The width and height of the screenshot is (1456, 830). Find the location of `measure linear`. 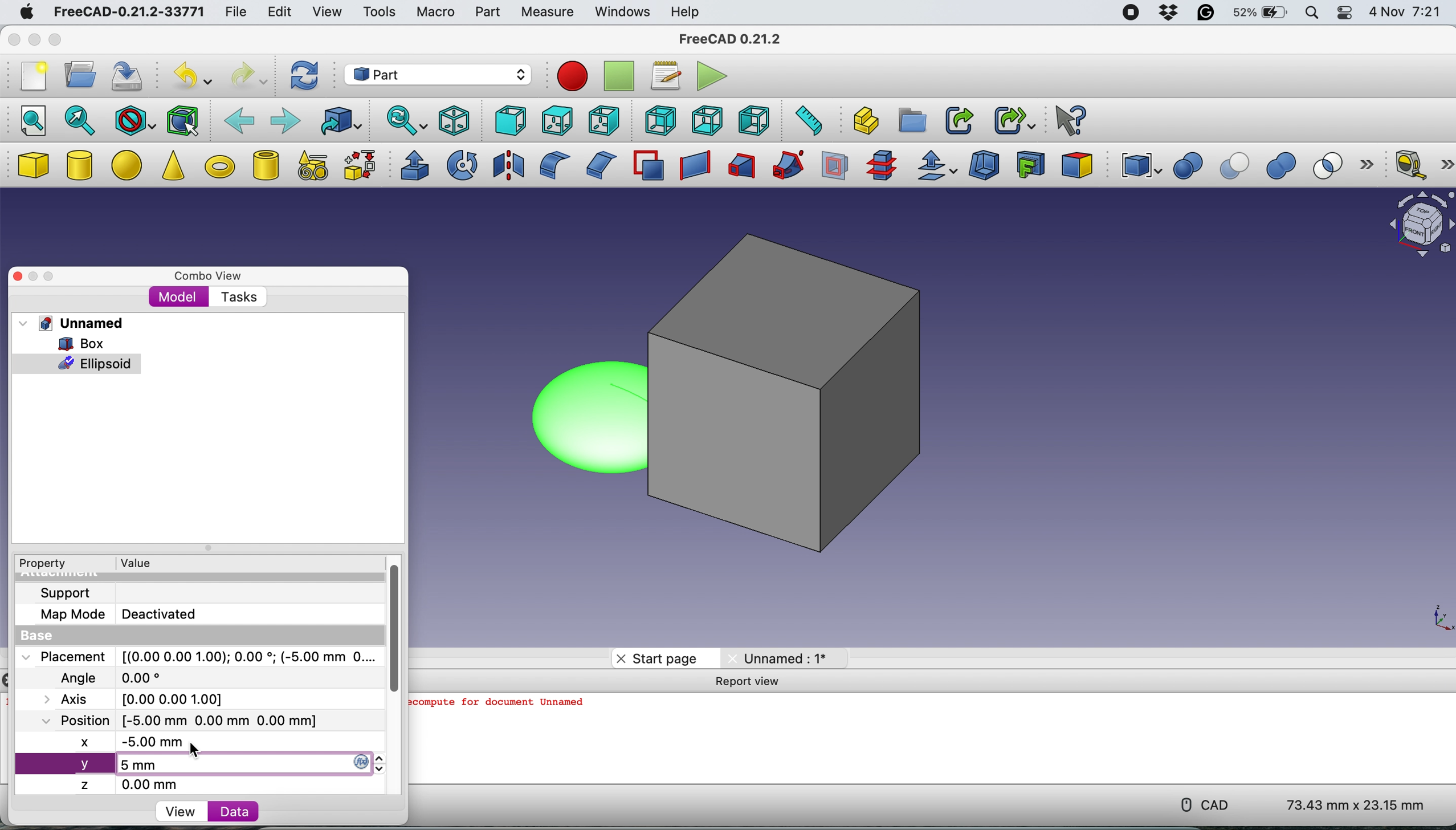

measure linear is located at coordinates (1409, 164).